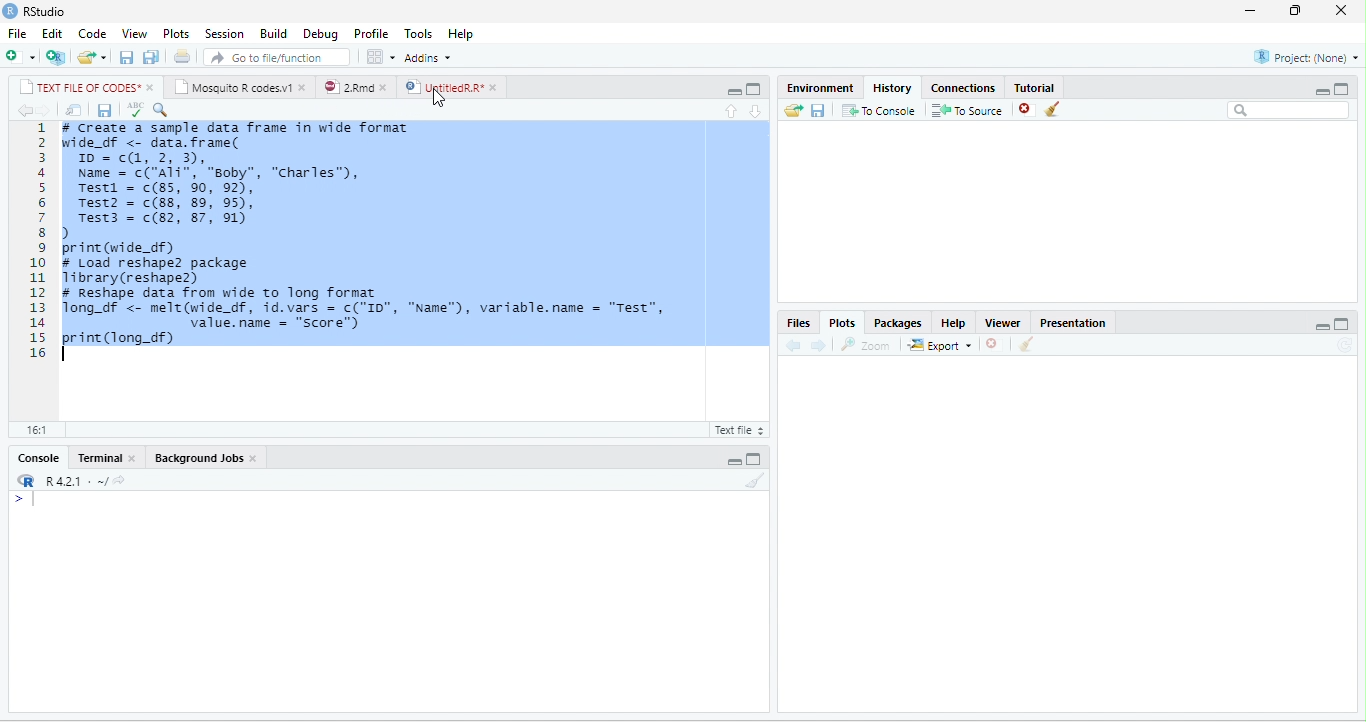 The image size is (1366, 722). Describe the element at coordinates (68, 354) in the screenshot. I see `typing cursor` at that location.